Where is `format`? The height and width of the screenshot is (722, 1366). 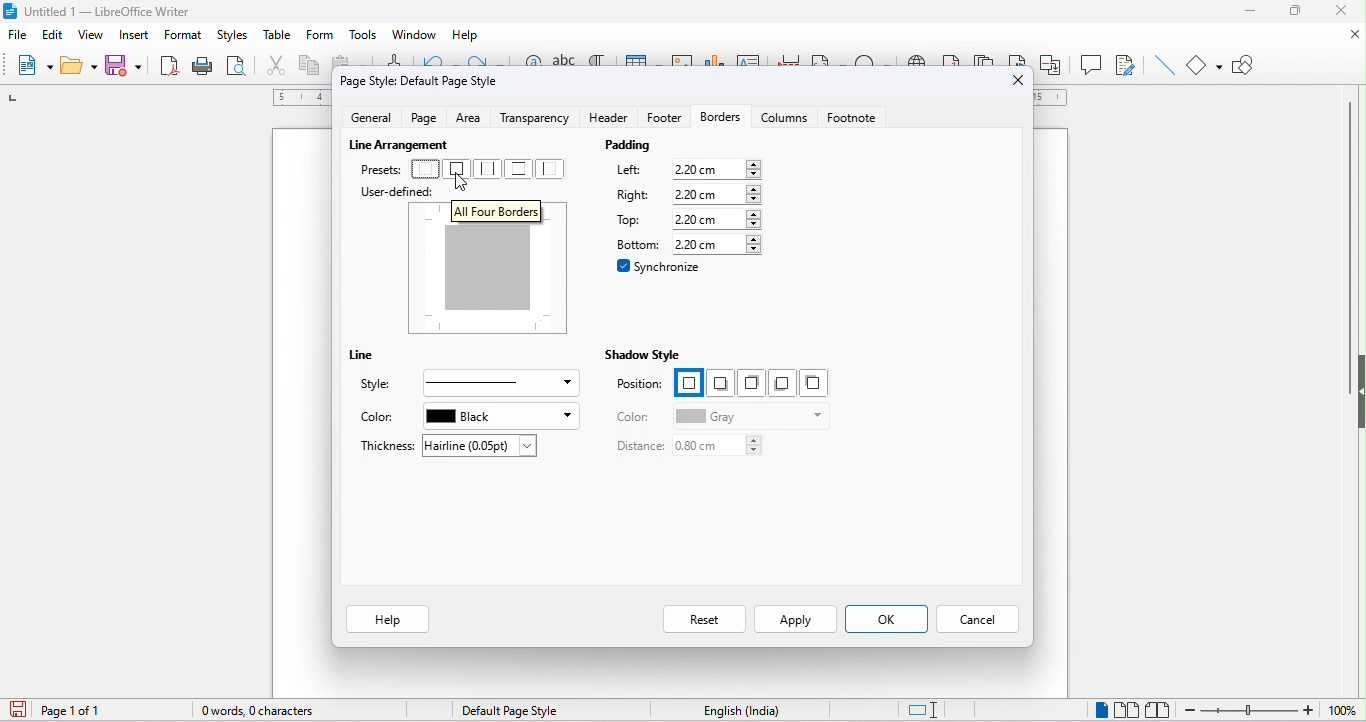 format is located at coordinates (185, 36).